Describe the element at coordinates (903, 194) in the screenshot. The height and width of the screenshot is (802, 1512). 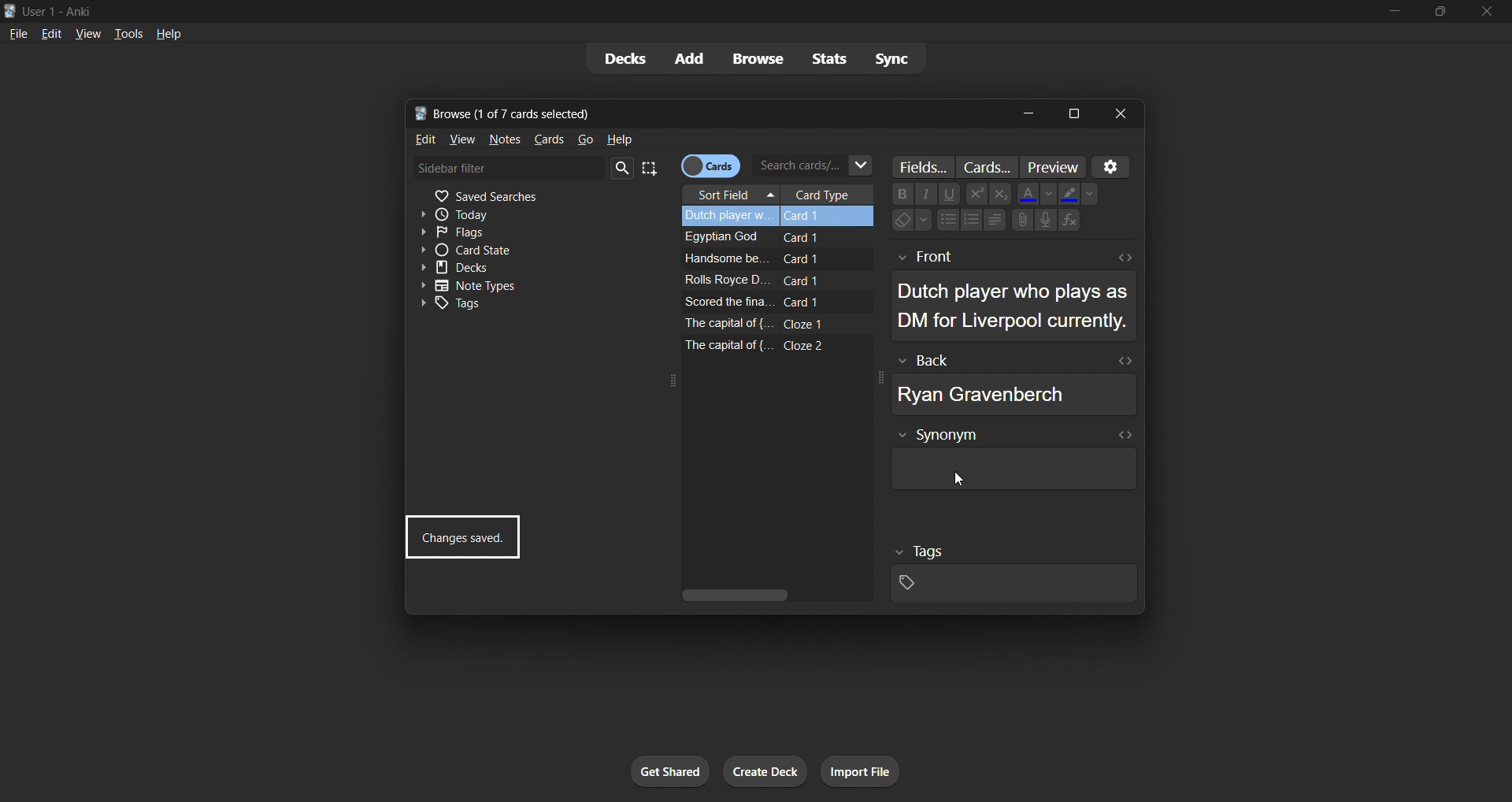
I see `B` at that location.